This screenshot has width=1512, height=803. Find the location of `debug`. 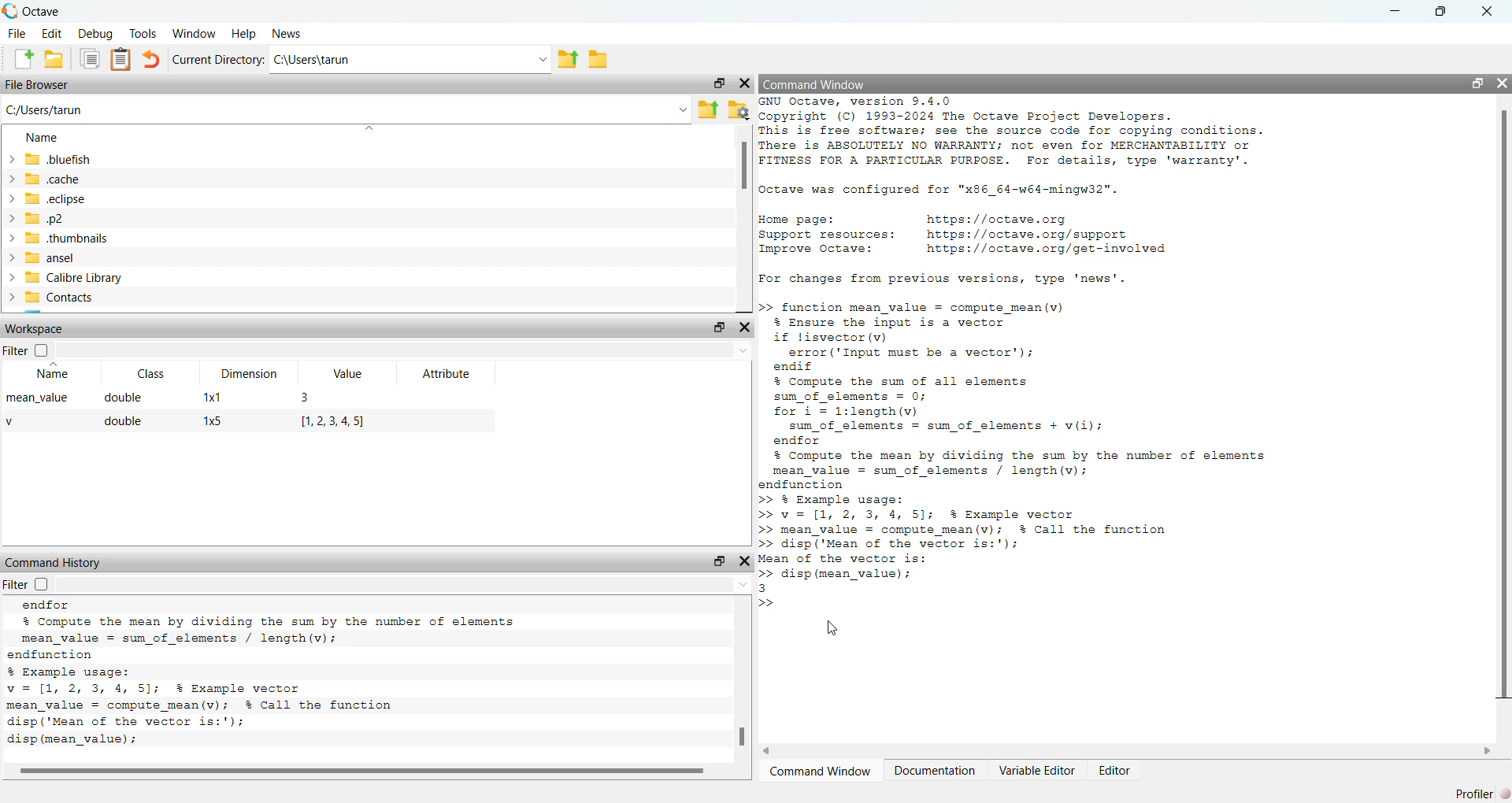

debug is located at coordinates (97, 34).